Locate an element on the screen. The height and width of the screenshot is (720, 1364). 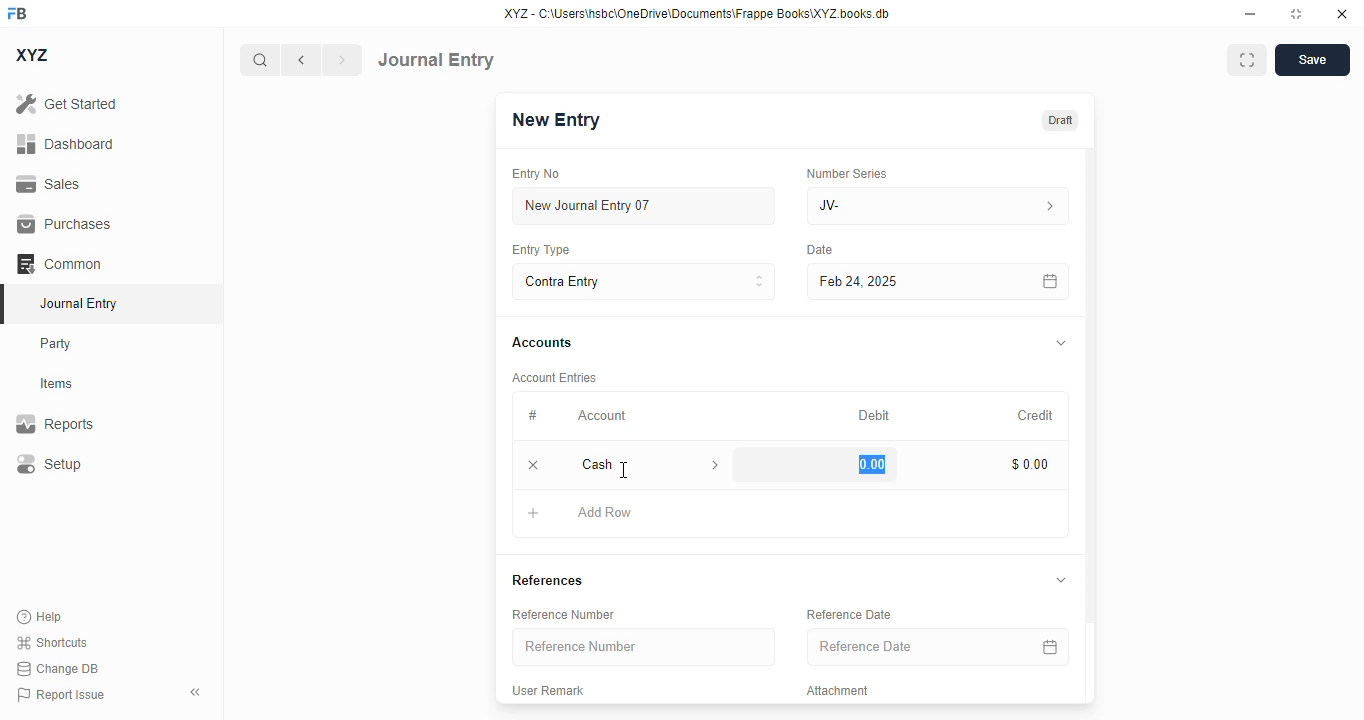
items is located at coordinates (57, 384).